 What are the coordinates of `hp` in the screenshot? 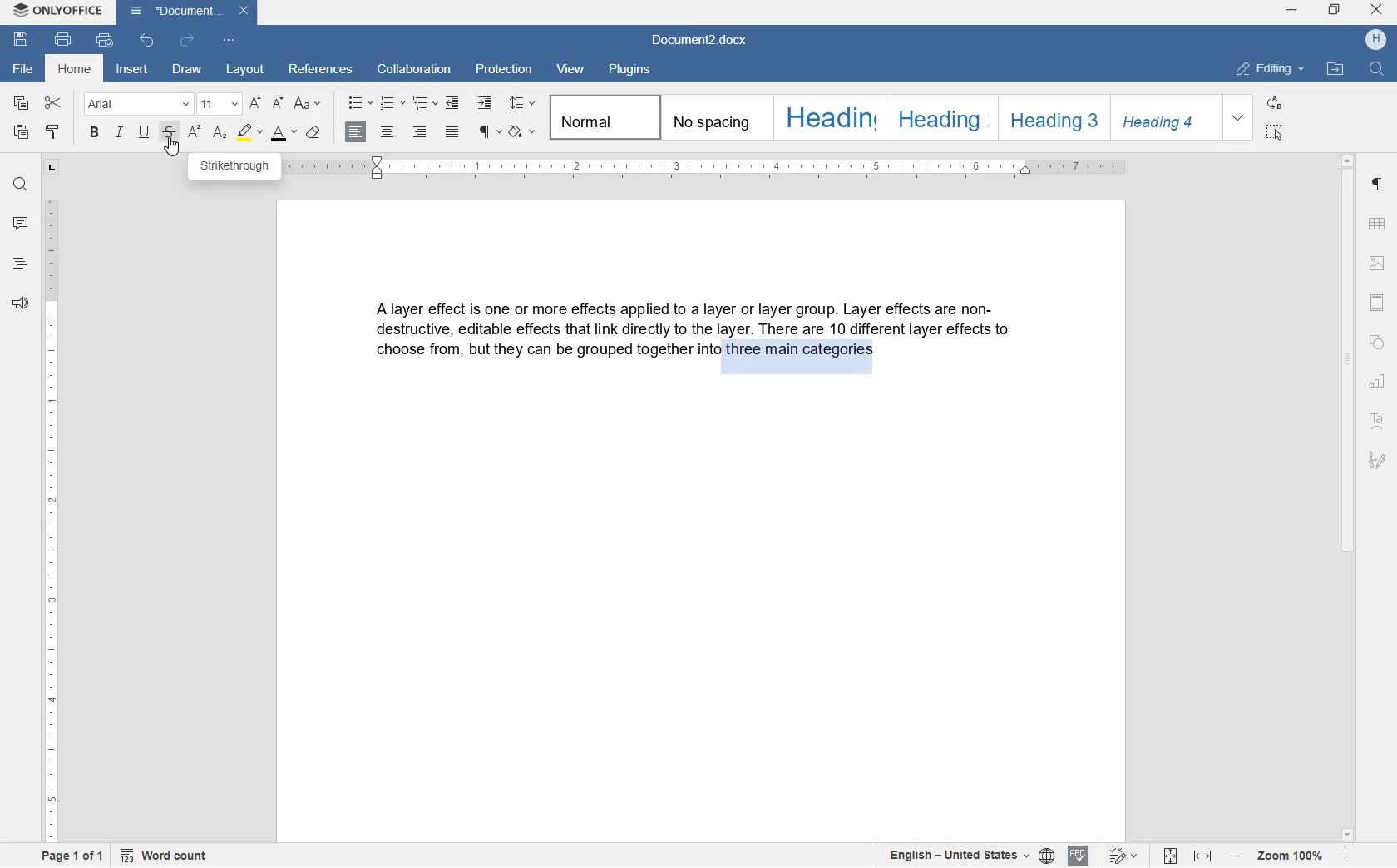 It's located at (1378, 40).